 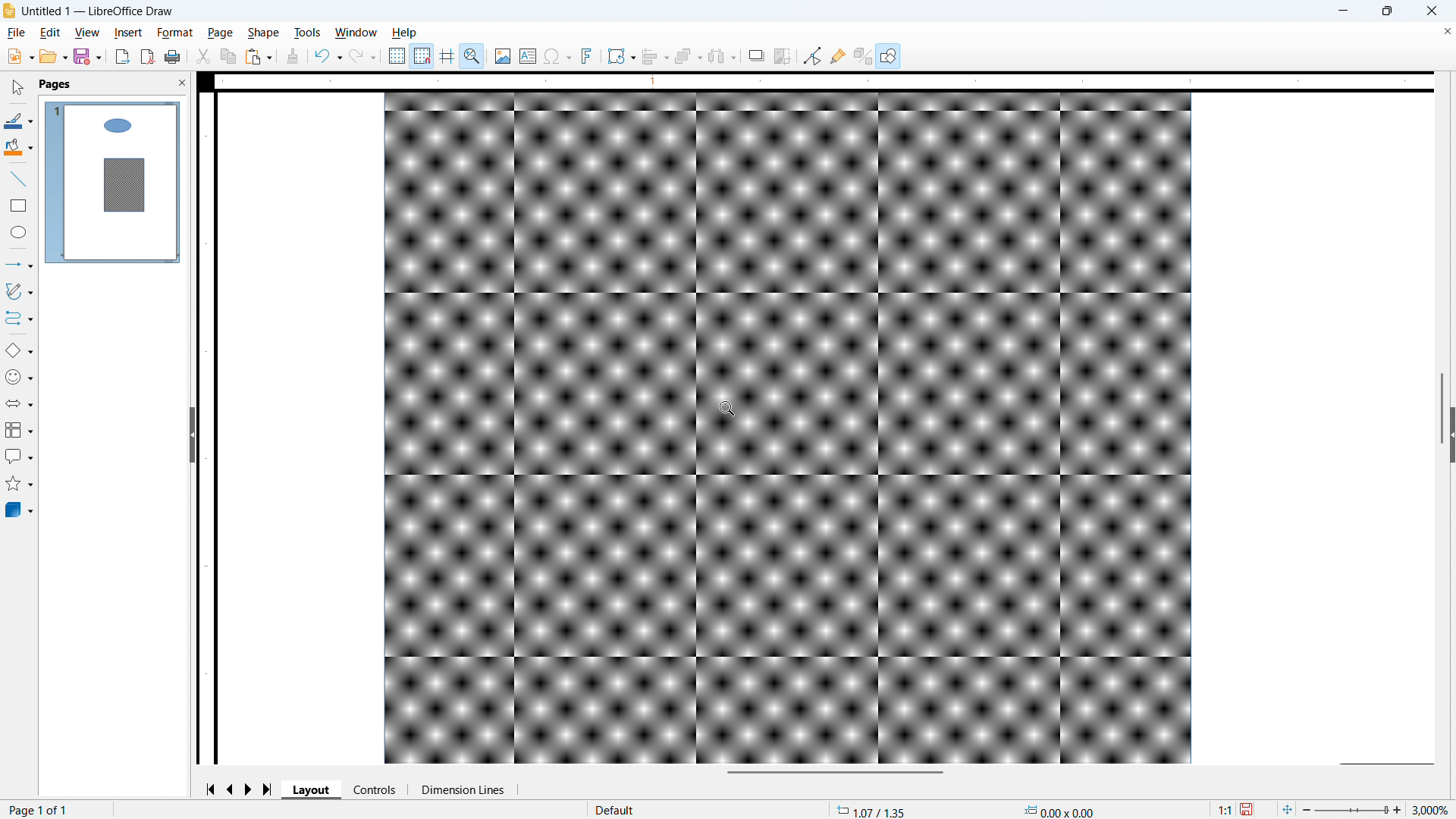 I want to click on Insert symbol , so click(x=557, y=55).